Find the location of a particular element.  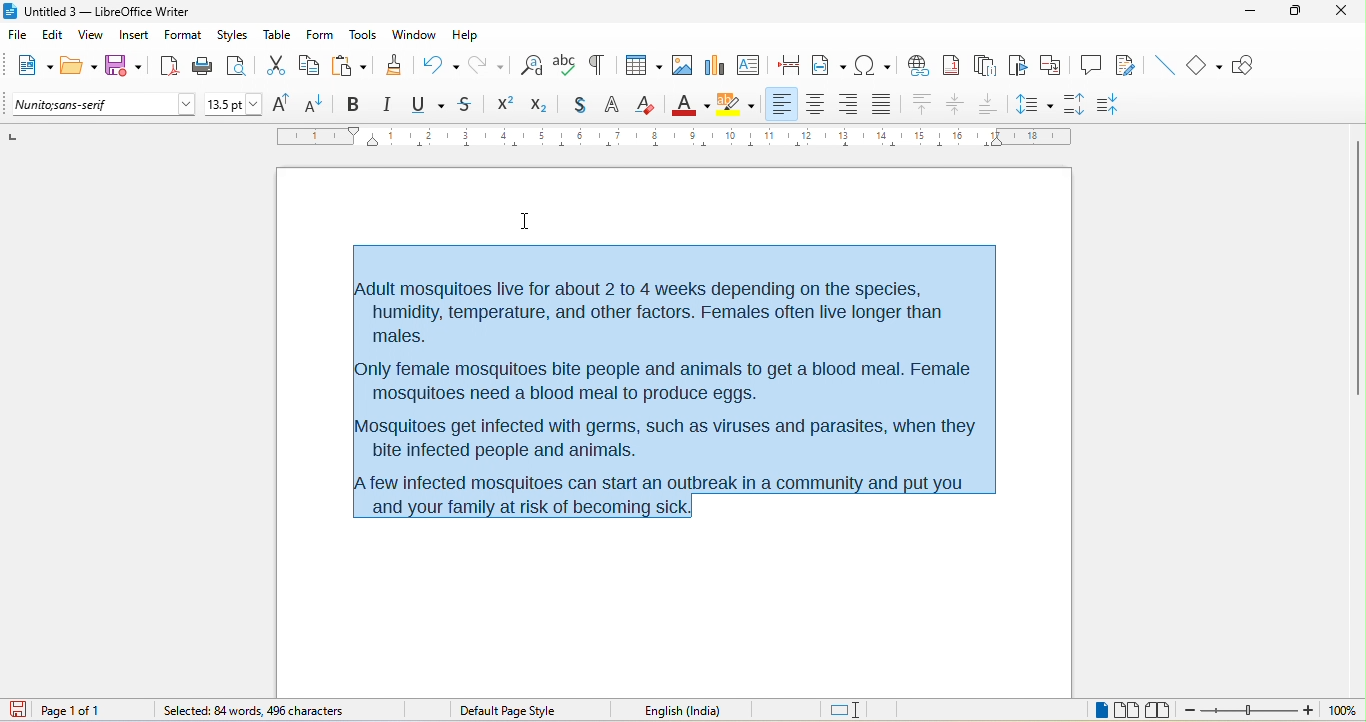

align right is located at coordinates (847, 105).